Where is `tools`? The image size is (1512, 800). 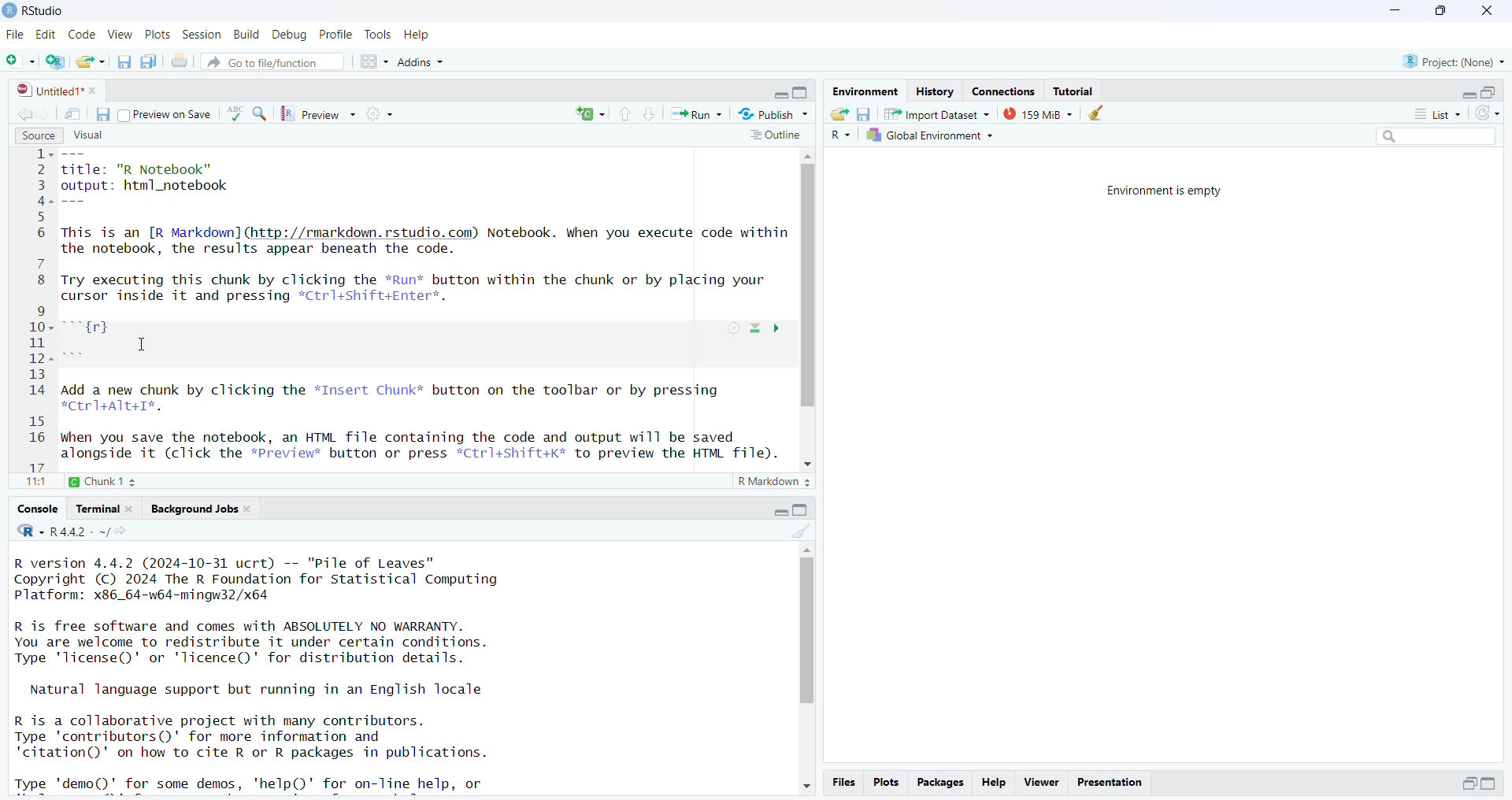 tools is located at coordinates (379, 35).